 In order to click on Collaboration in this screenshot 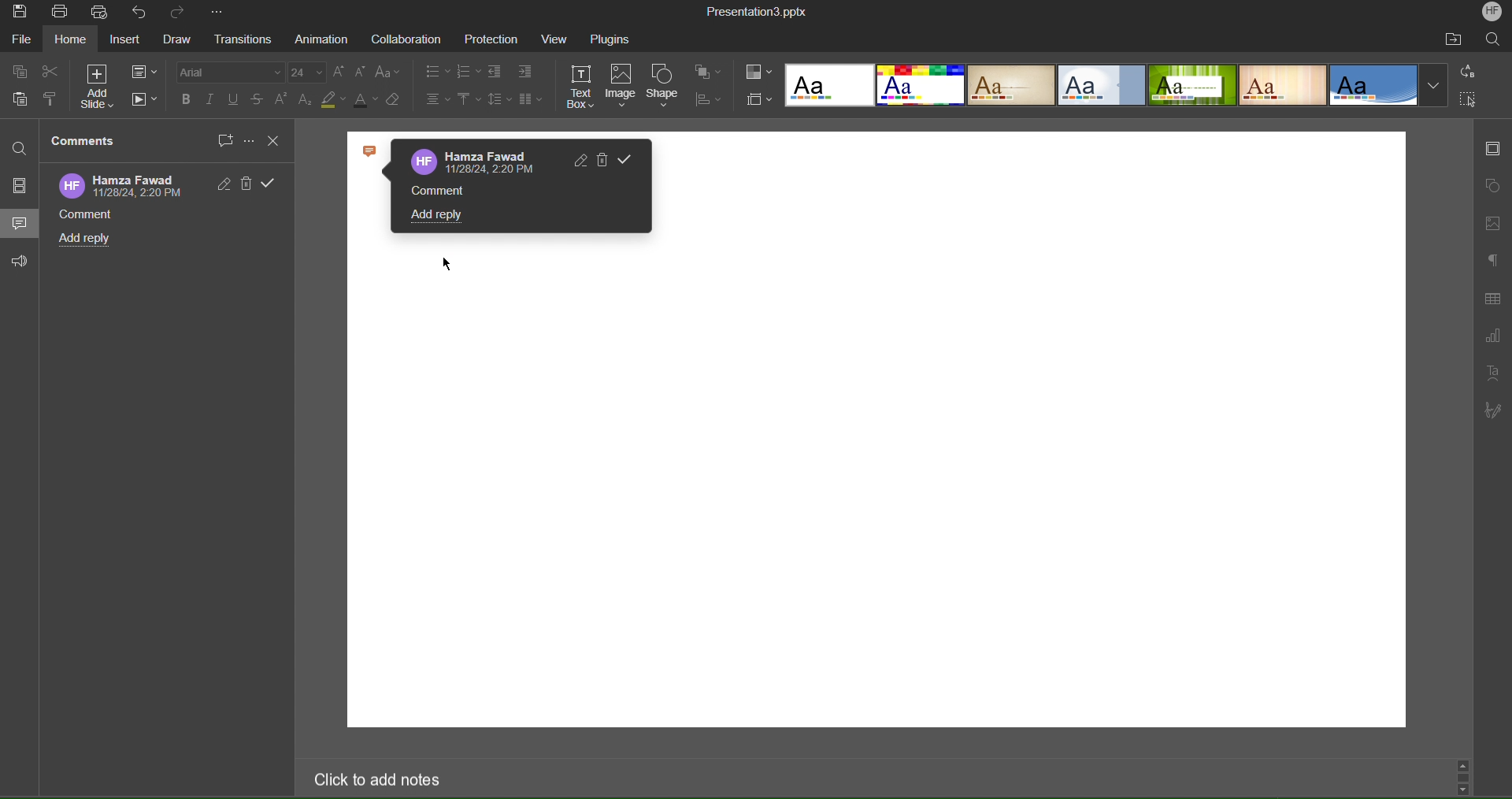, I will do `click(406, 40)`.